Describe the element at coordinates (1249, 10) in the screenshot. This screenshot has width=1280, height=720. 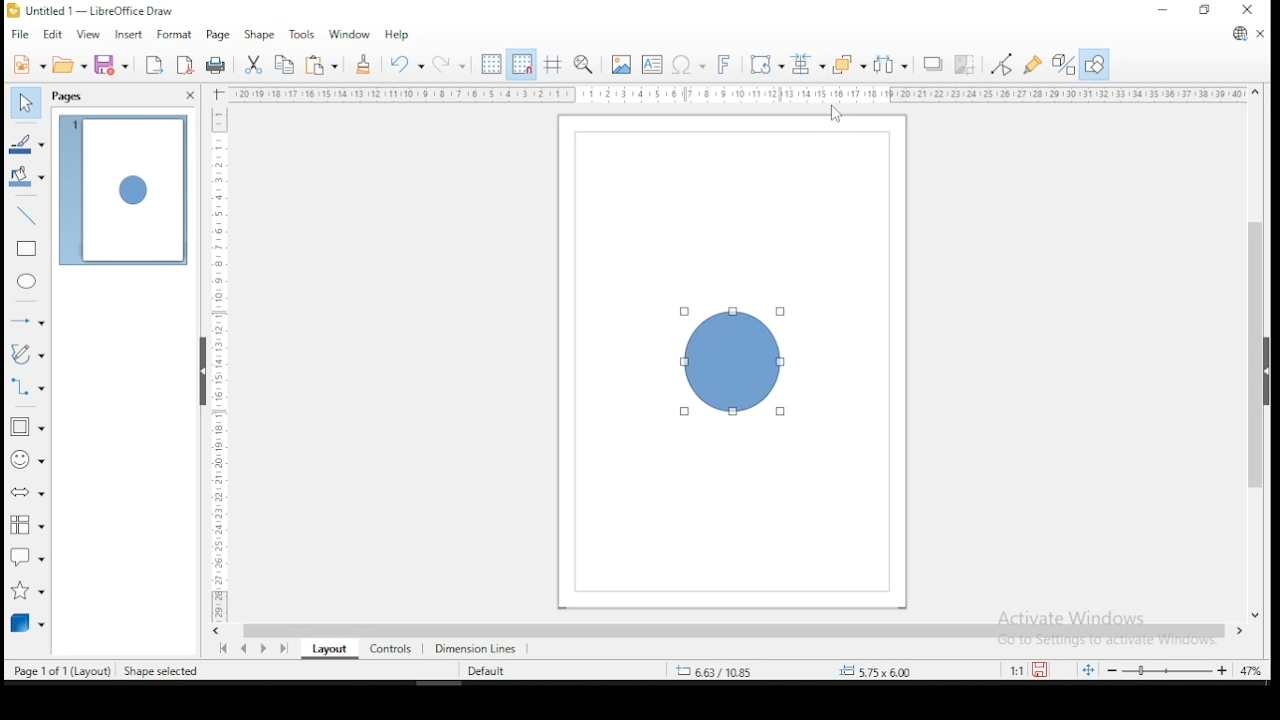
I see `close window` at that location.